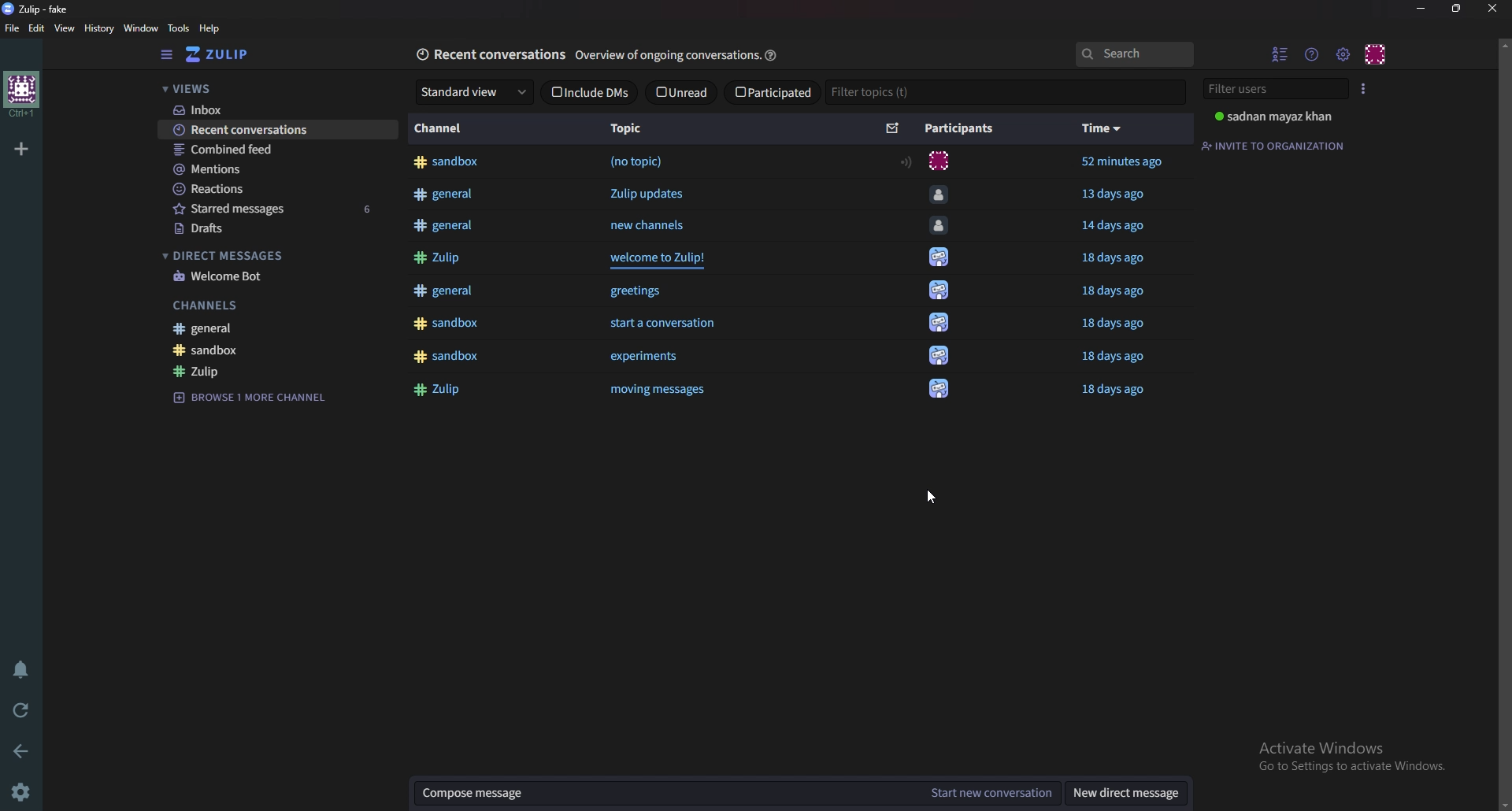 The height and width of the screenshot is (811, 1512). Describe the element at coordinates (449, 196) in the screenshot. I see `#general` at that location.